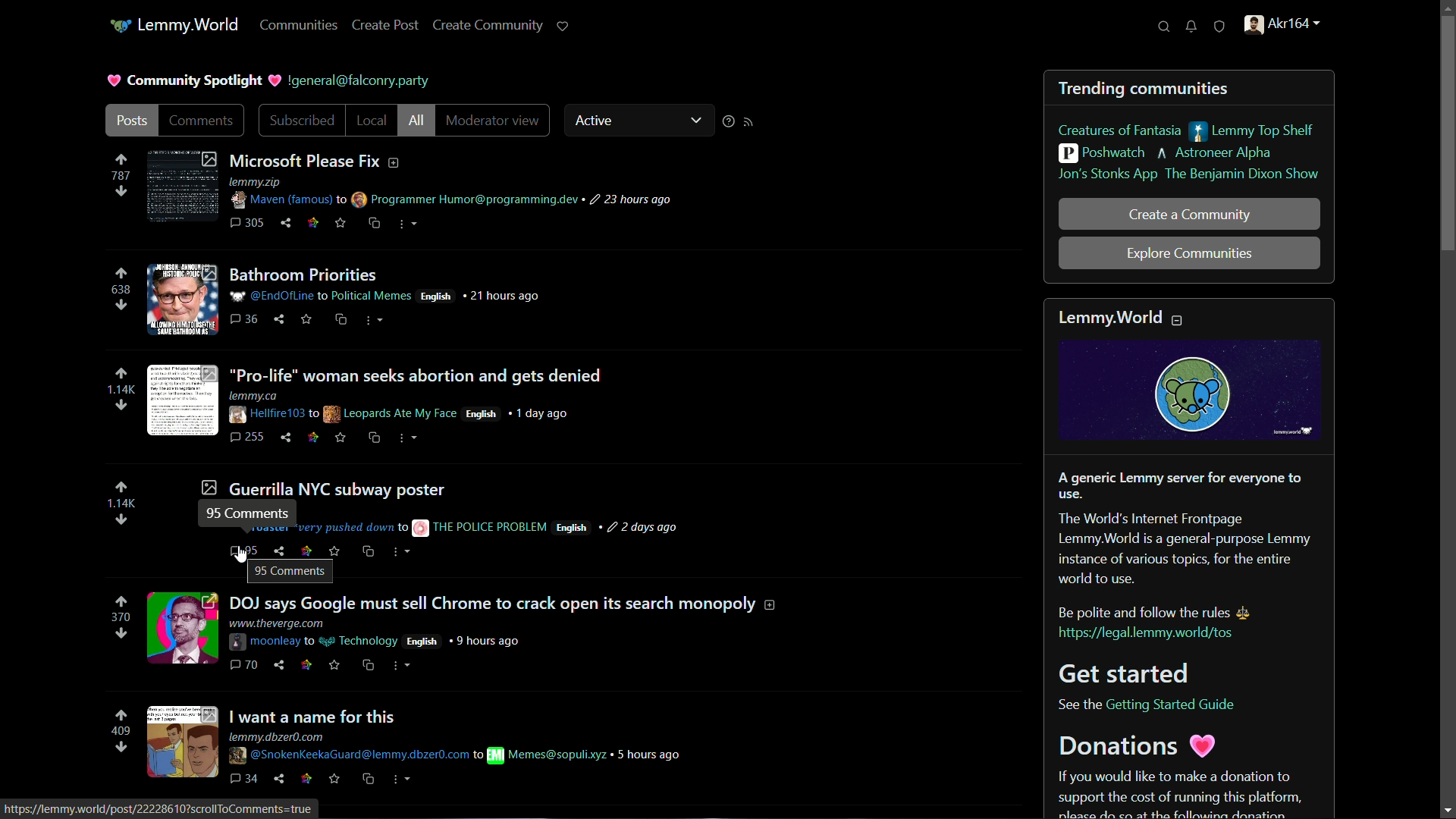  Describe the element at coordinates (183, 79) in the screenshot. I see `community spotlight` at that location.